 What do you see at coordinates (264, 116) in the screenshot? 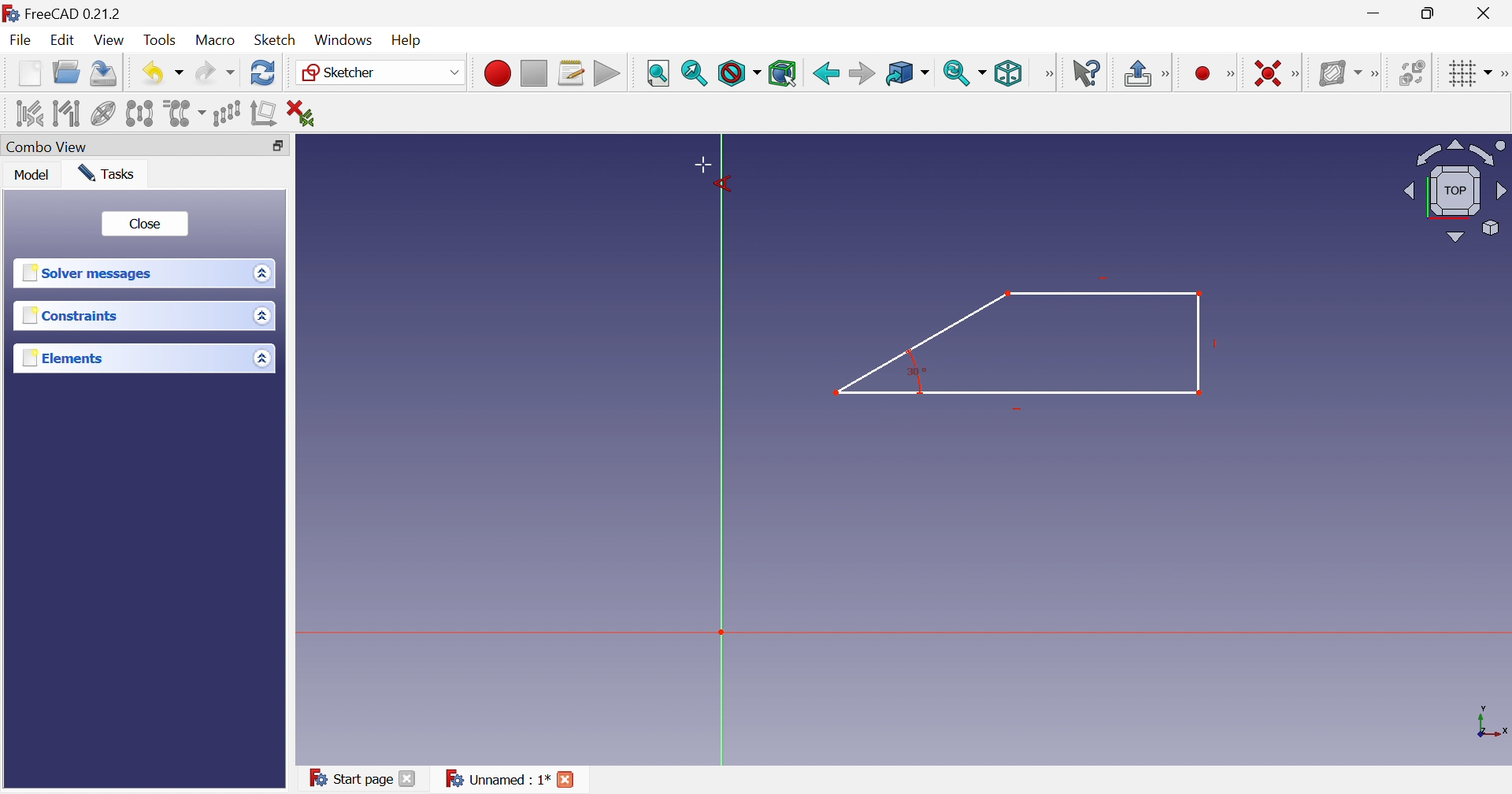
I see `Remove axes alignment` at bounding box center [264, 116].